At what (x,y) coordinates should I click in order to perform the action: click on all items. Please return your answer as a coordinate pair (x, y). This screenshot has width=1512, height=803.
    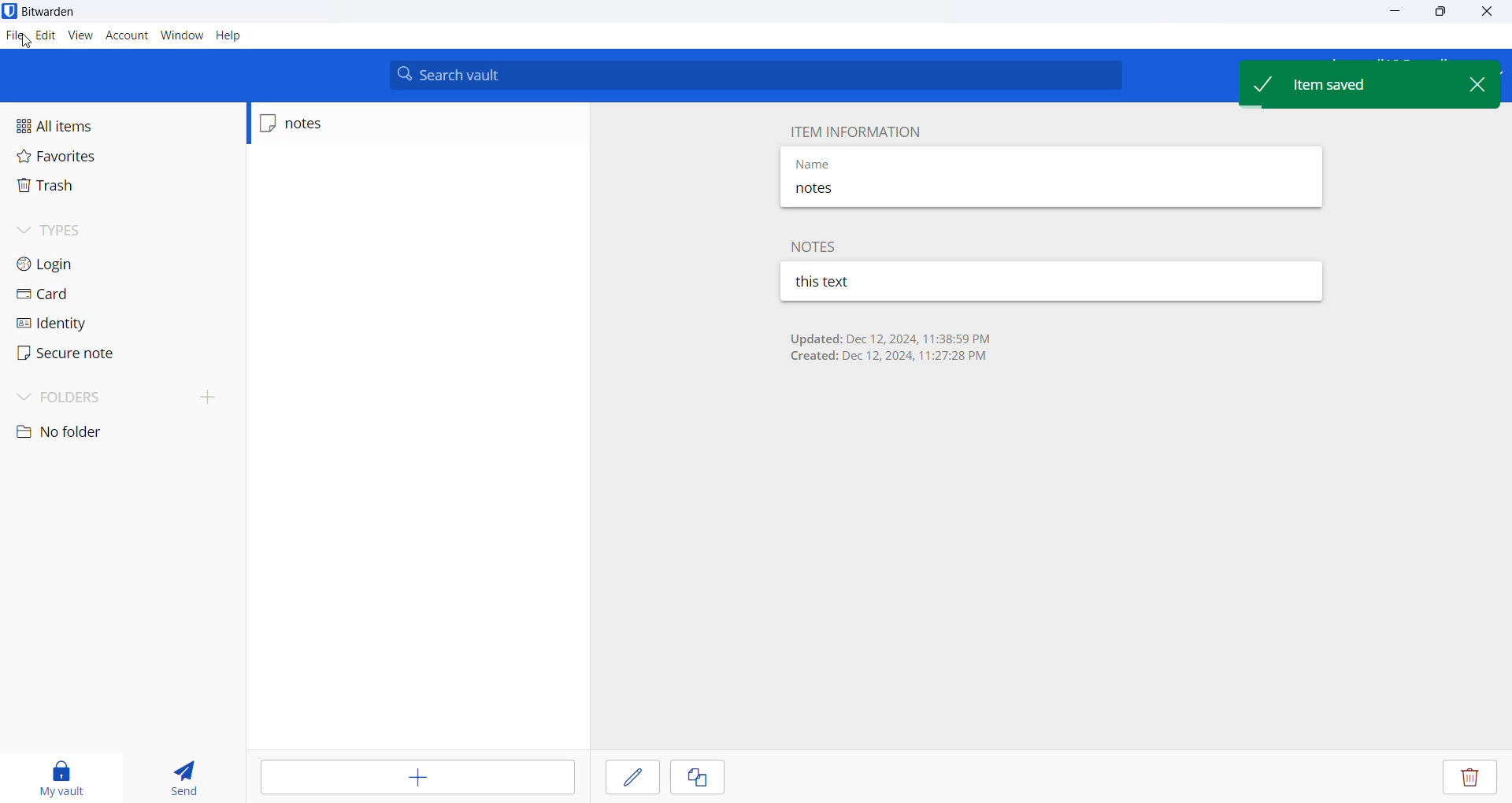
    Looking at the image, I should click on (82, 126).